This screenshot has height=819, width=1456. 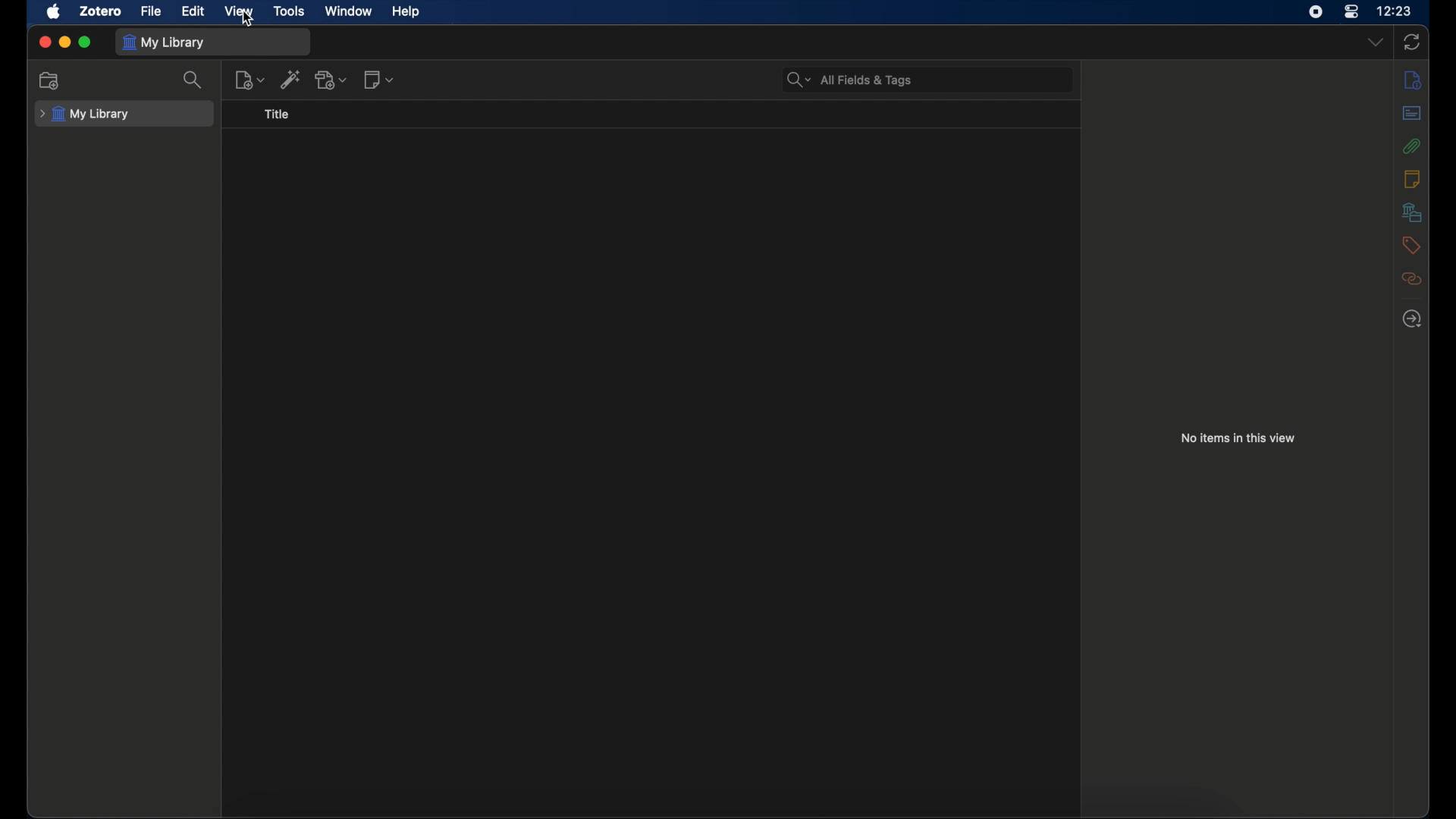 I want to click on search bar, so click(x=849, y=80).